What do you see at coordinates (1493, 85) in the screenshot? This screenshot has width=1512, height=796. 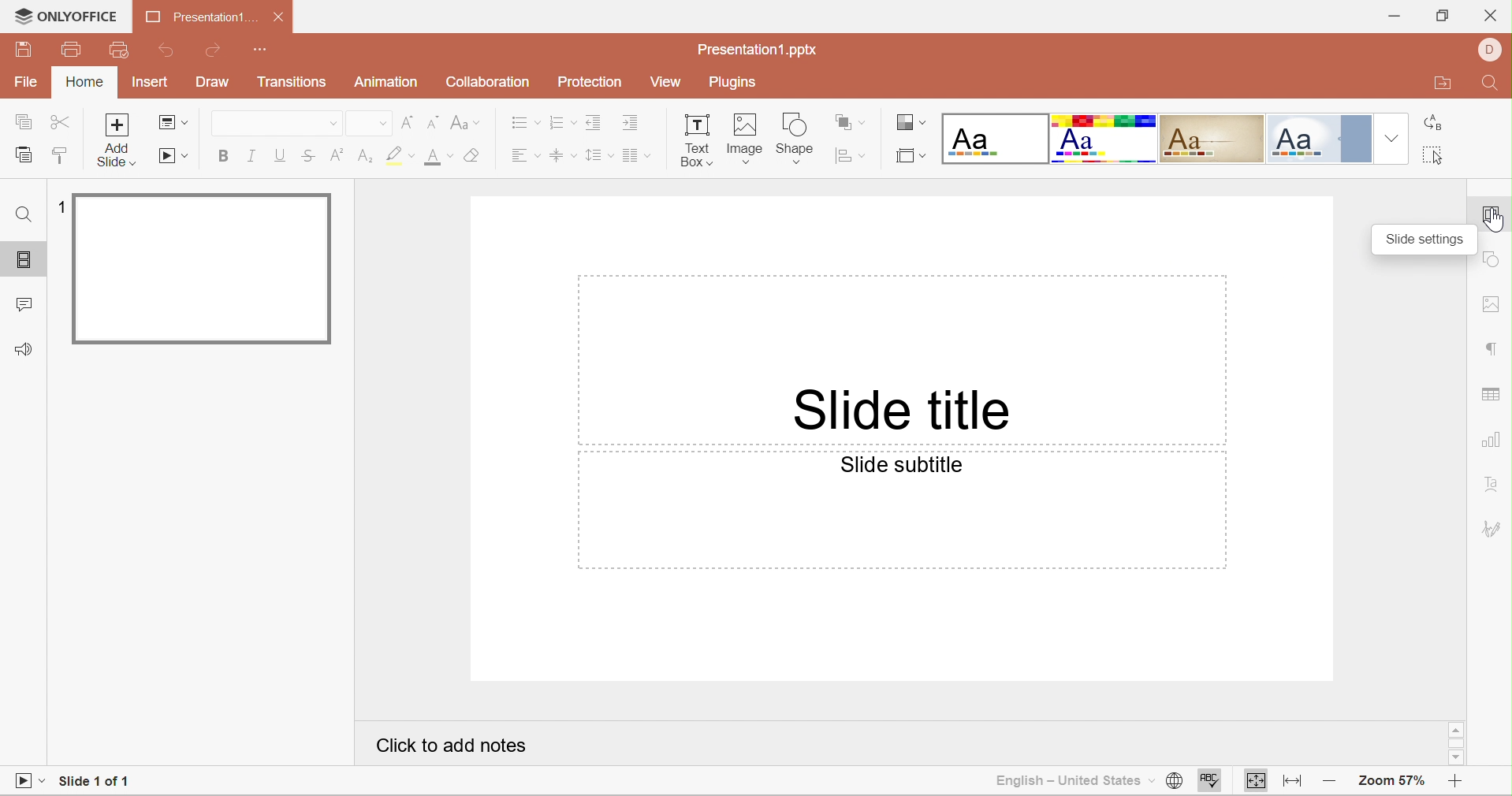 I see `Find` at bounding box center [1493, 85].